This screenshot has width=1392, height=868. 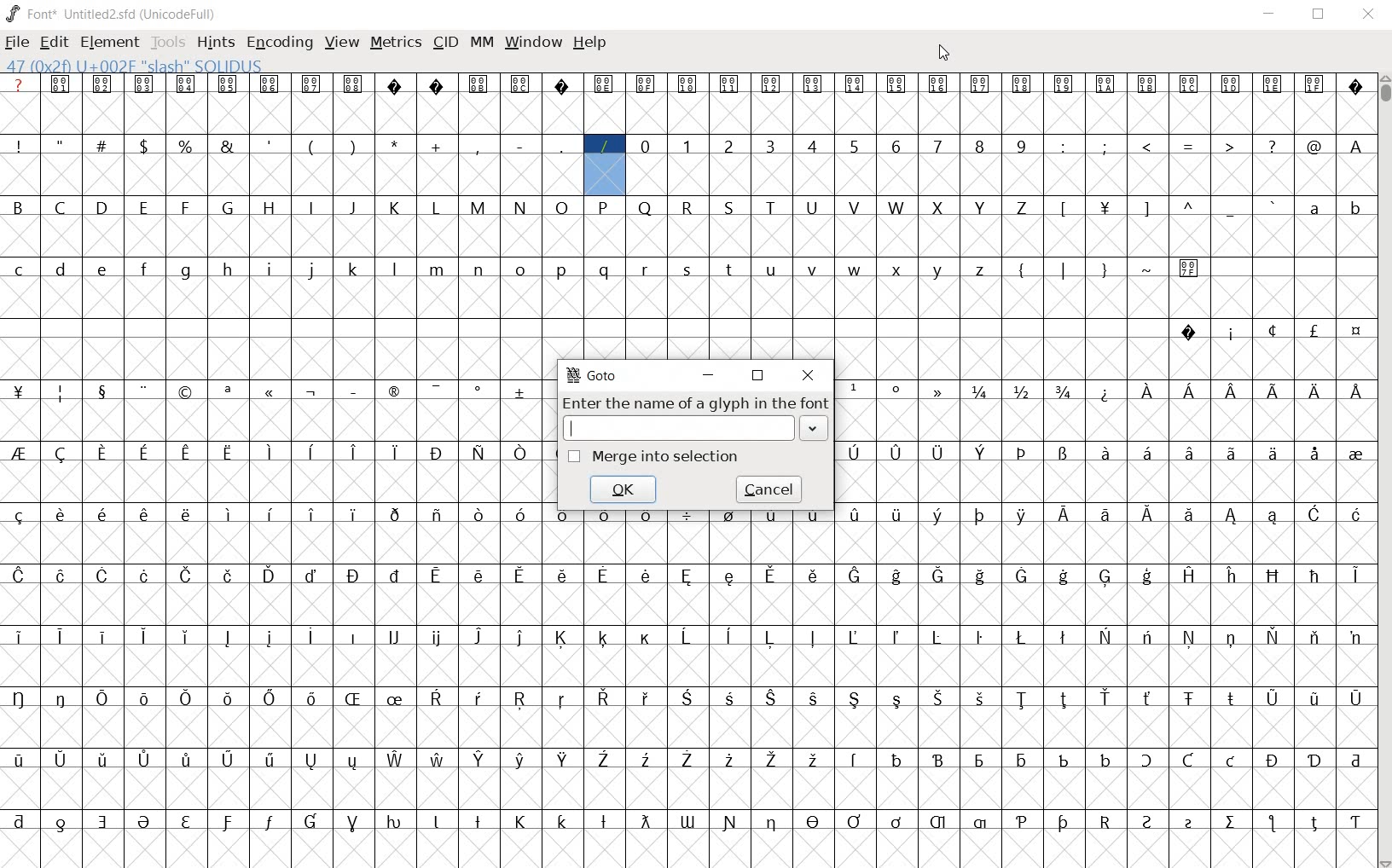 I want to click on glyph, so click(x=437, y=516).